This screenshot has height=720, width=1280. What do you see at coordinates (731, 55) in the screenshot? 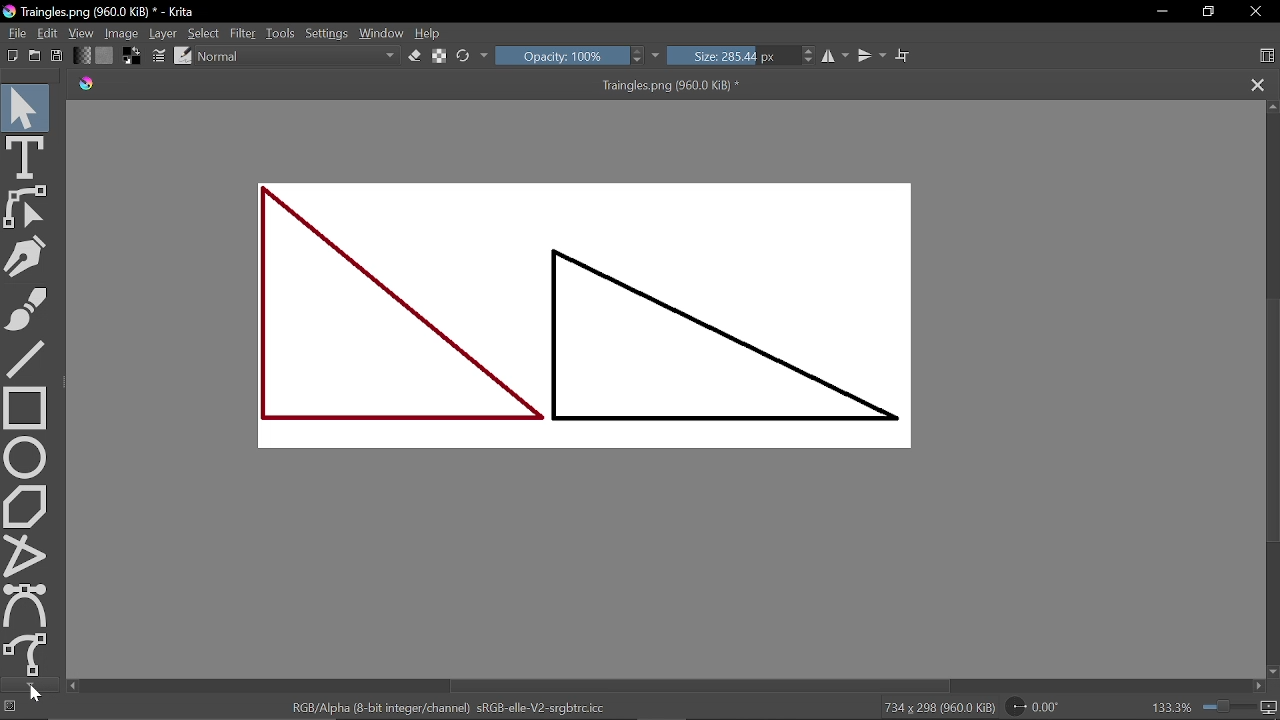
I see `Size` at bounding box center [731, 55].